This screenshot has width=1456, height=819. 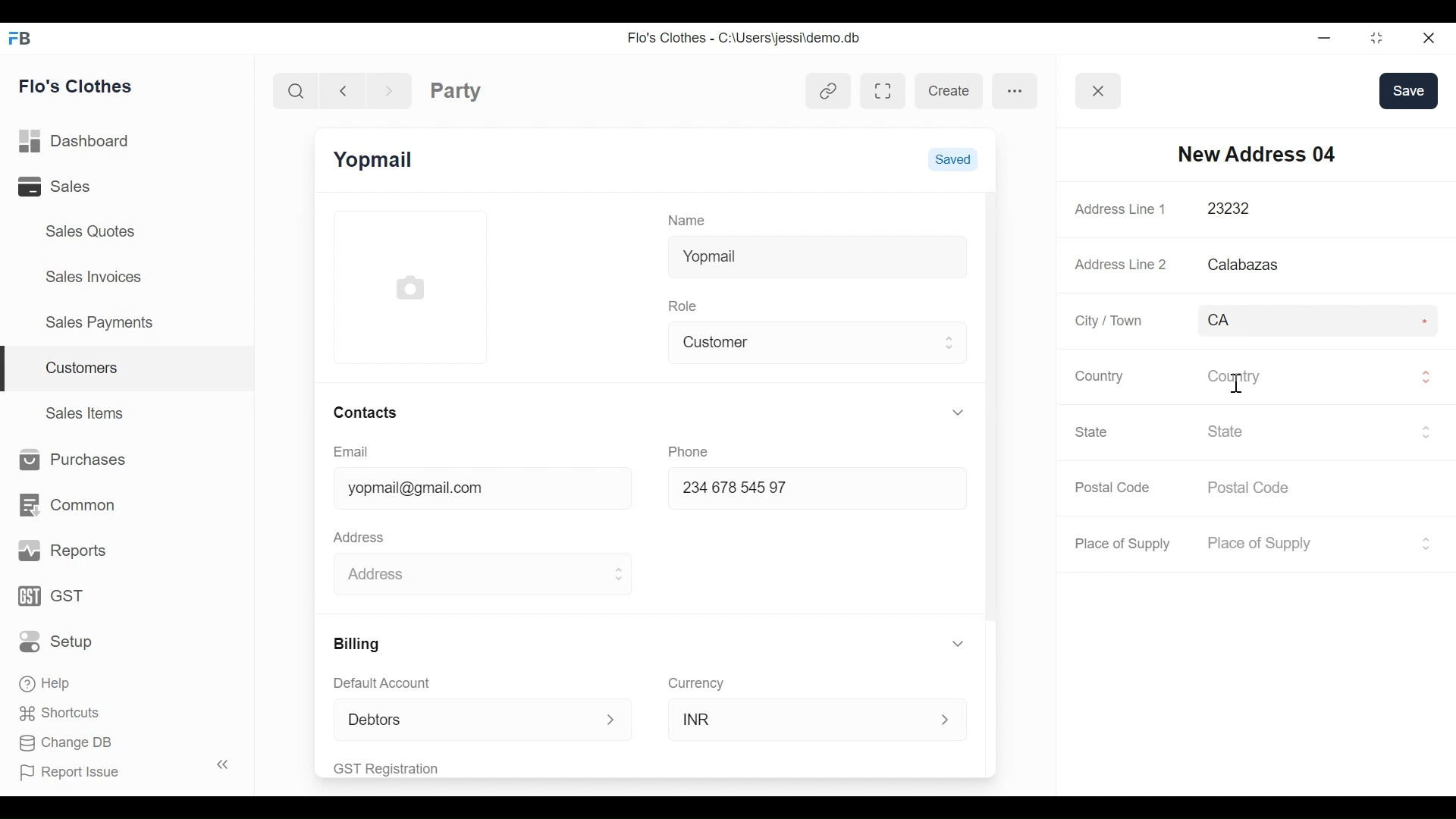 What do you see at coordinates (1115, 488) in the screenshot?
I see `Postal Code` at bounding box center [1115, 488].